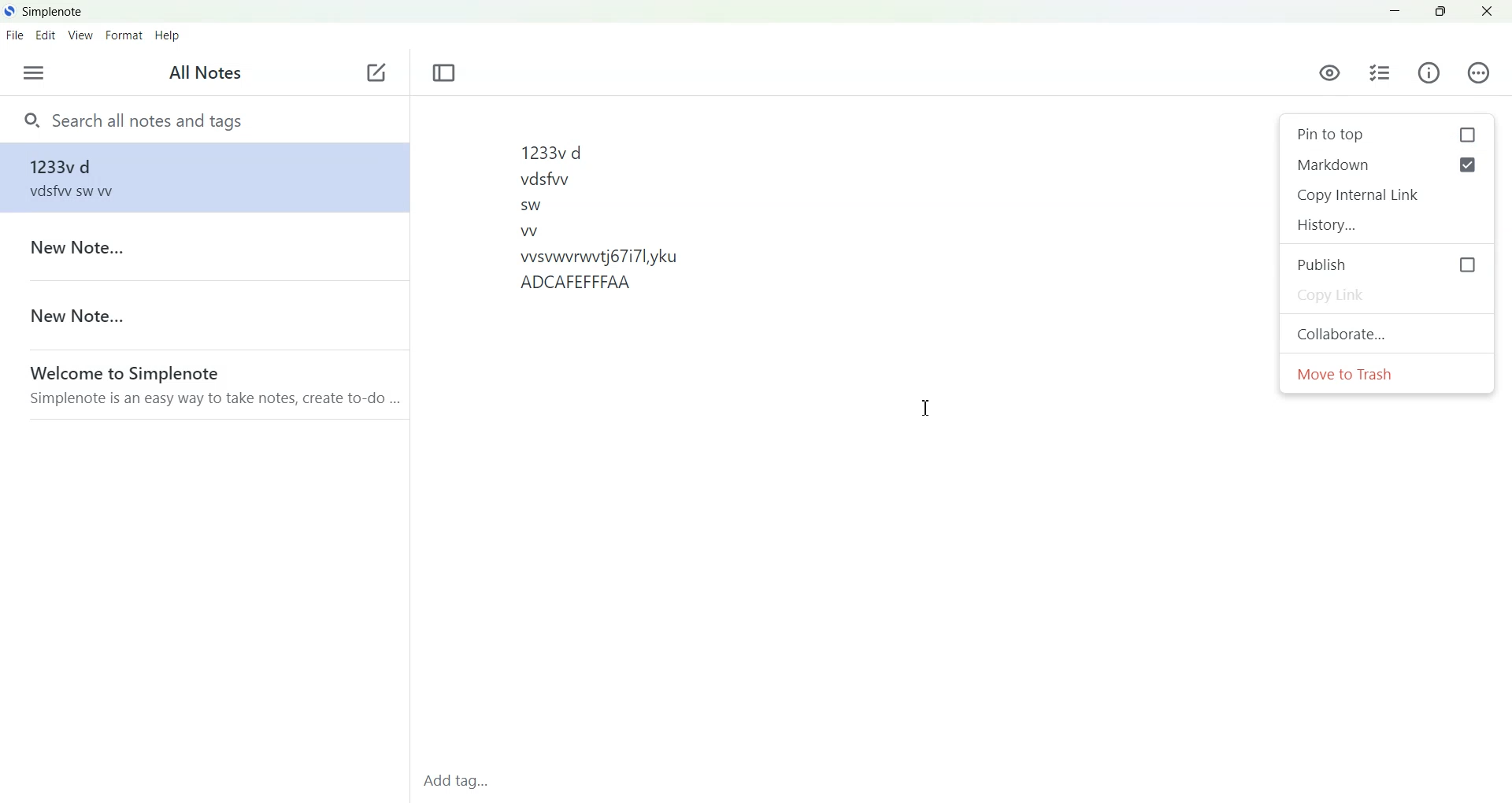  What do you see at coordinates (1396, 12) in the screenshot?
I see `Minimize` at bounding box center [1396, 12].